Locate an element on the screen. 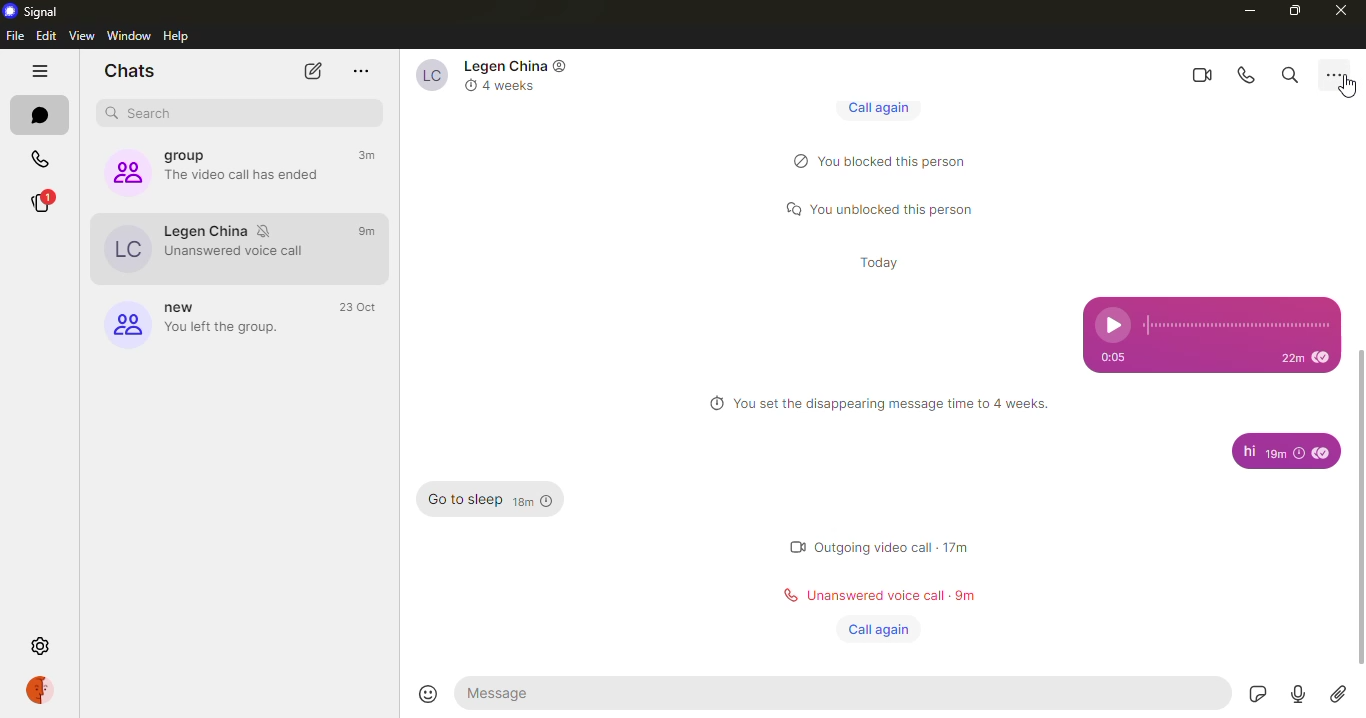 Image resolution: width=1366 pixels, height=718 pixels. sticker is located at coordinates (1254, 693).